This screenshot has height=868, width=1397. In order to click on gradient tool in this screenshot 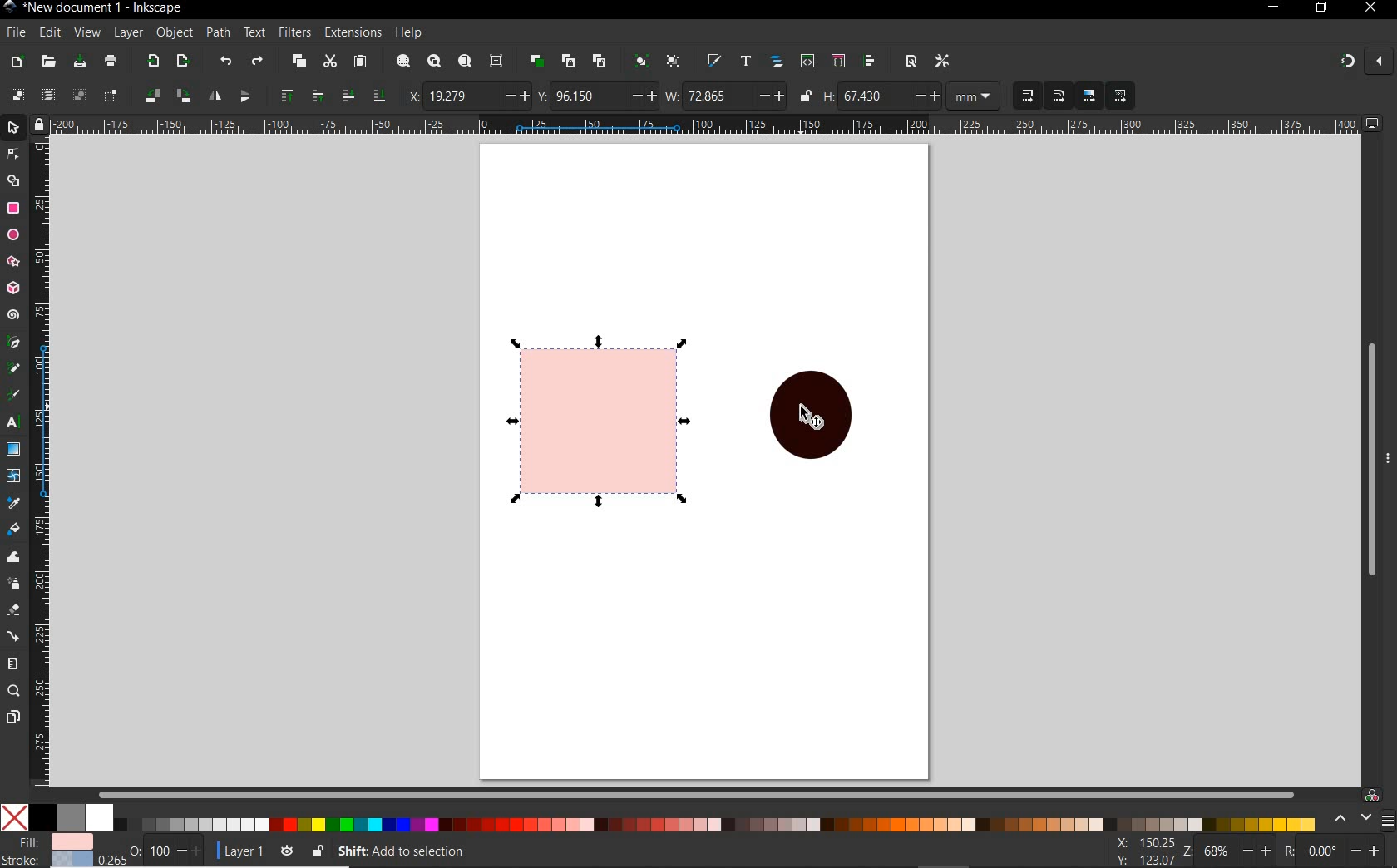, I will do `click(14, 448)`.